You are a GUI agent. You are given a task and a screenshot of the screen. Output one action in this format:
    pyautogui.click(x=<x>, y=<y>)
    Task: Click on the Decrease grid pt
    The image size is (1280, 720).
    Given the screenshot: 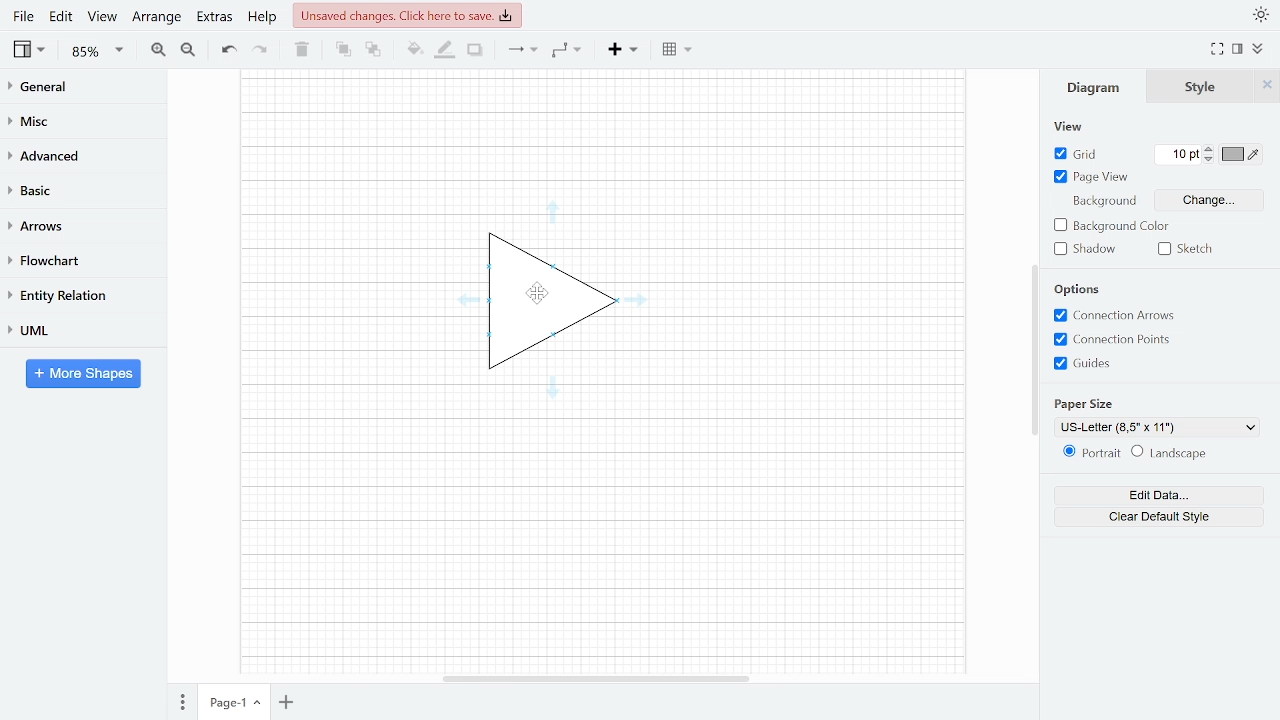 What is the action you would take?
    pyautogui.click(x=1211, y=160)
    